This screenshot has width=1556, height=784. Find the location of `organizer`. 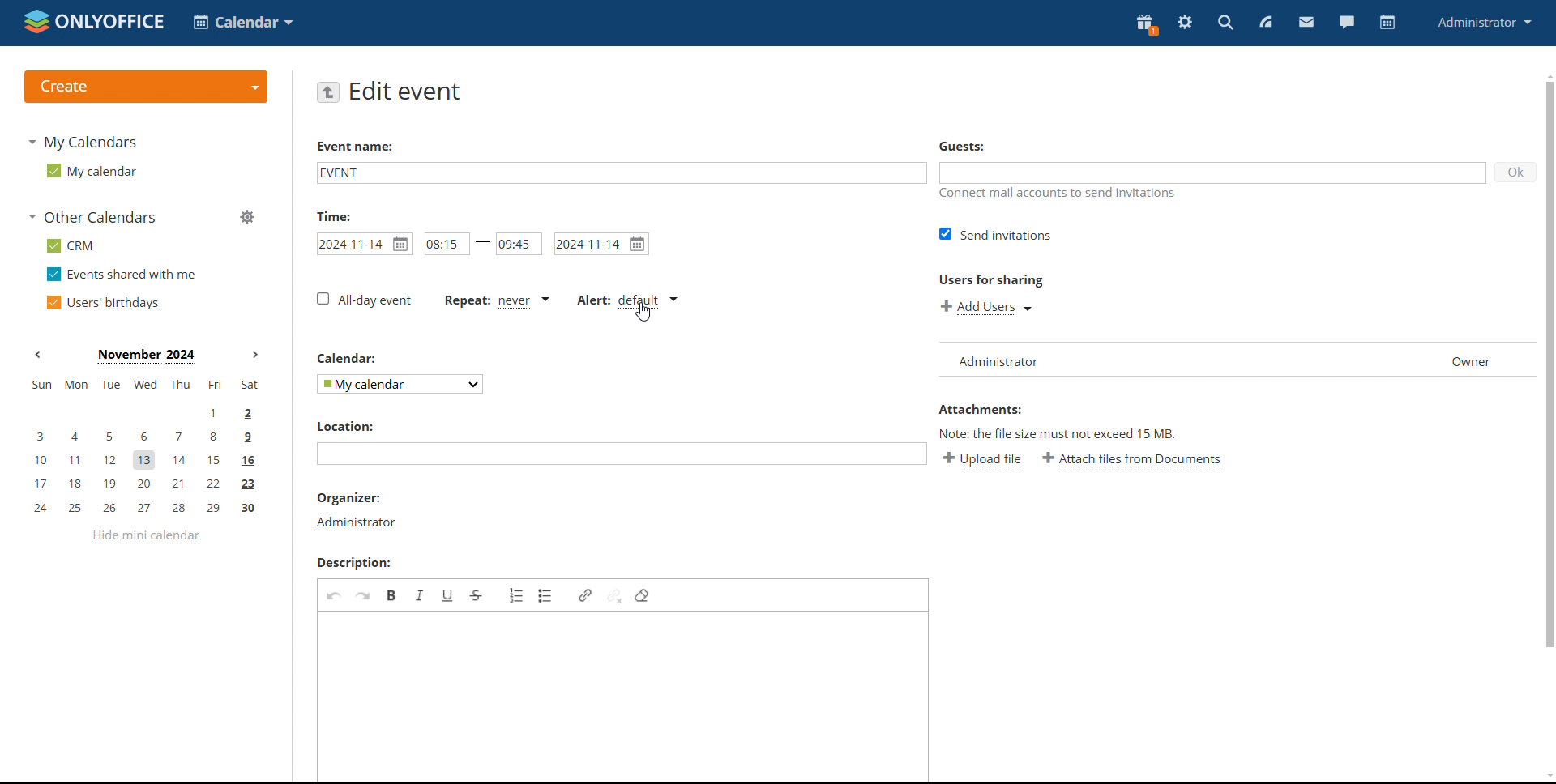

organizer is located at coordinates (357, 522).